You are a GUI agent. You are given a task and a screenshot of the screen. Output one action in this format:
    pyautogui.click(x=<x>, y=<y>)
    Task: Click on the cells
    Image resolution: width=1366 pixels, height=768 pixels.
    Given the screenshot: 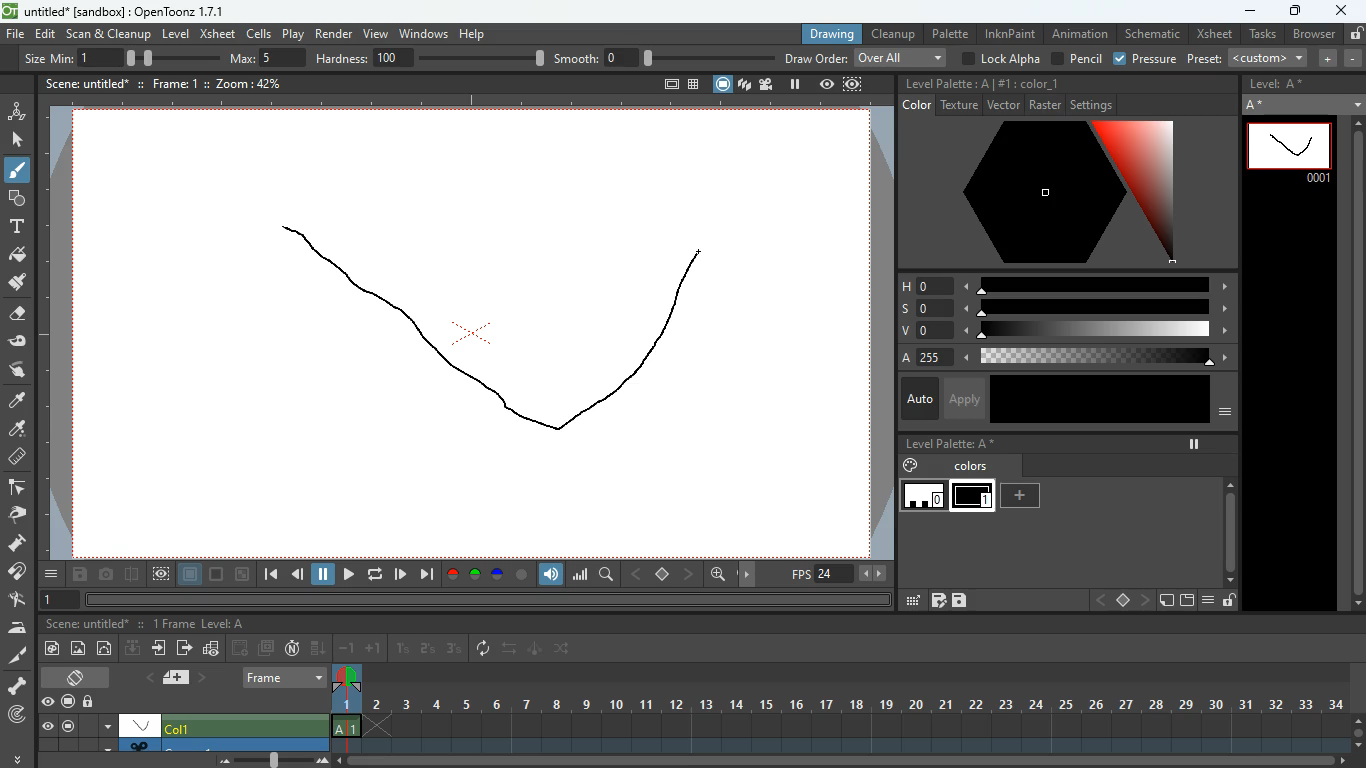 What is the action you would take?
    pyautogui.click(x=260, y=33)
    